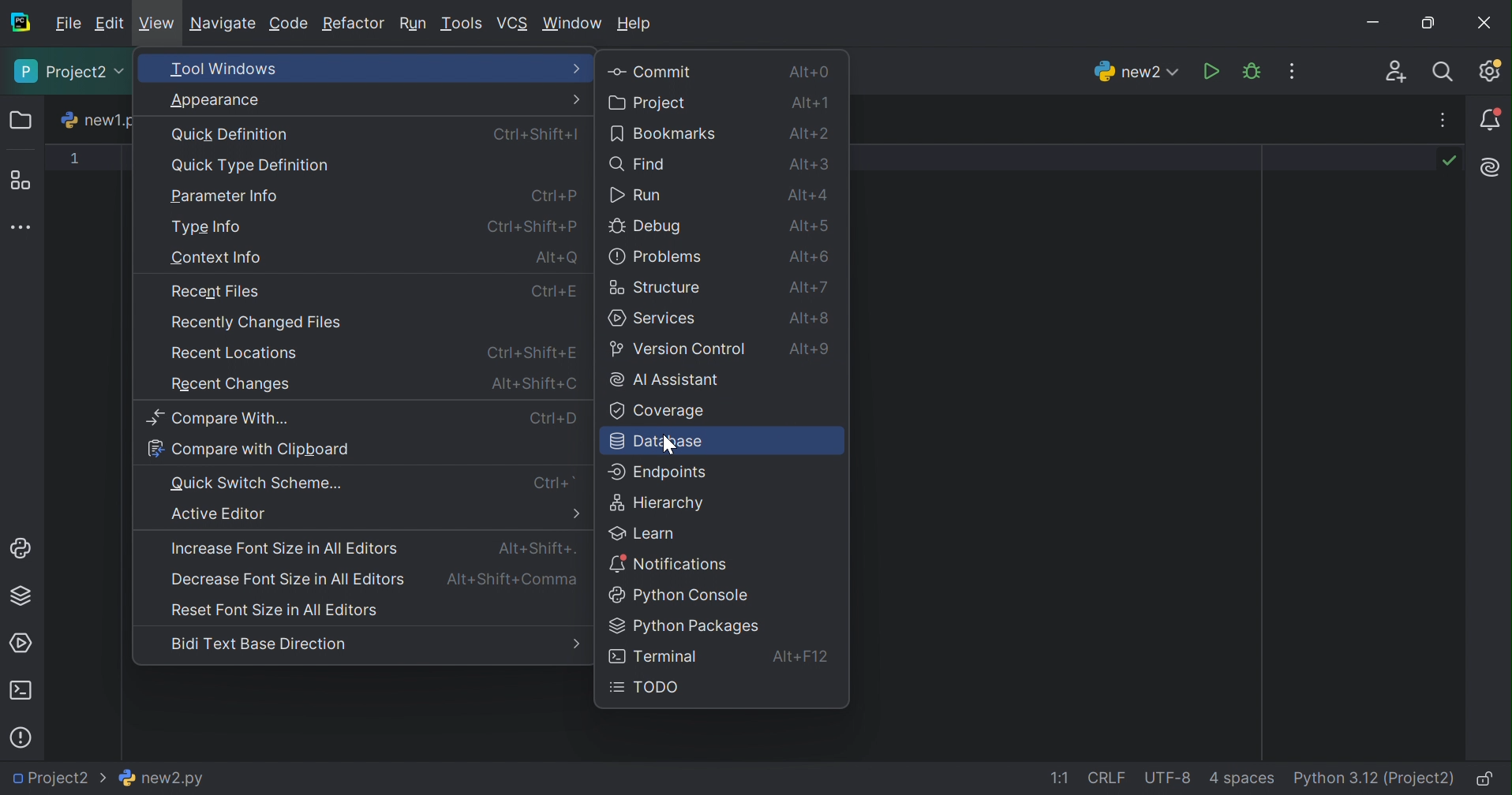 Image resolution: width=1512 pixels, height=795 pixels. What do you see at coordinates (101, 120) in the screenshot?
I see `new1.py` at bounding box center [101, 120].